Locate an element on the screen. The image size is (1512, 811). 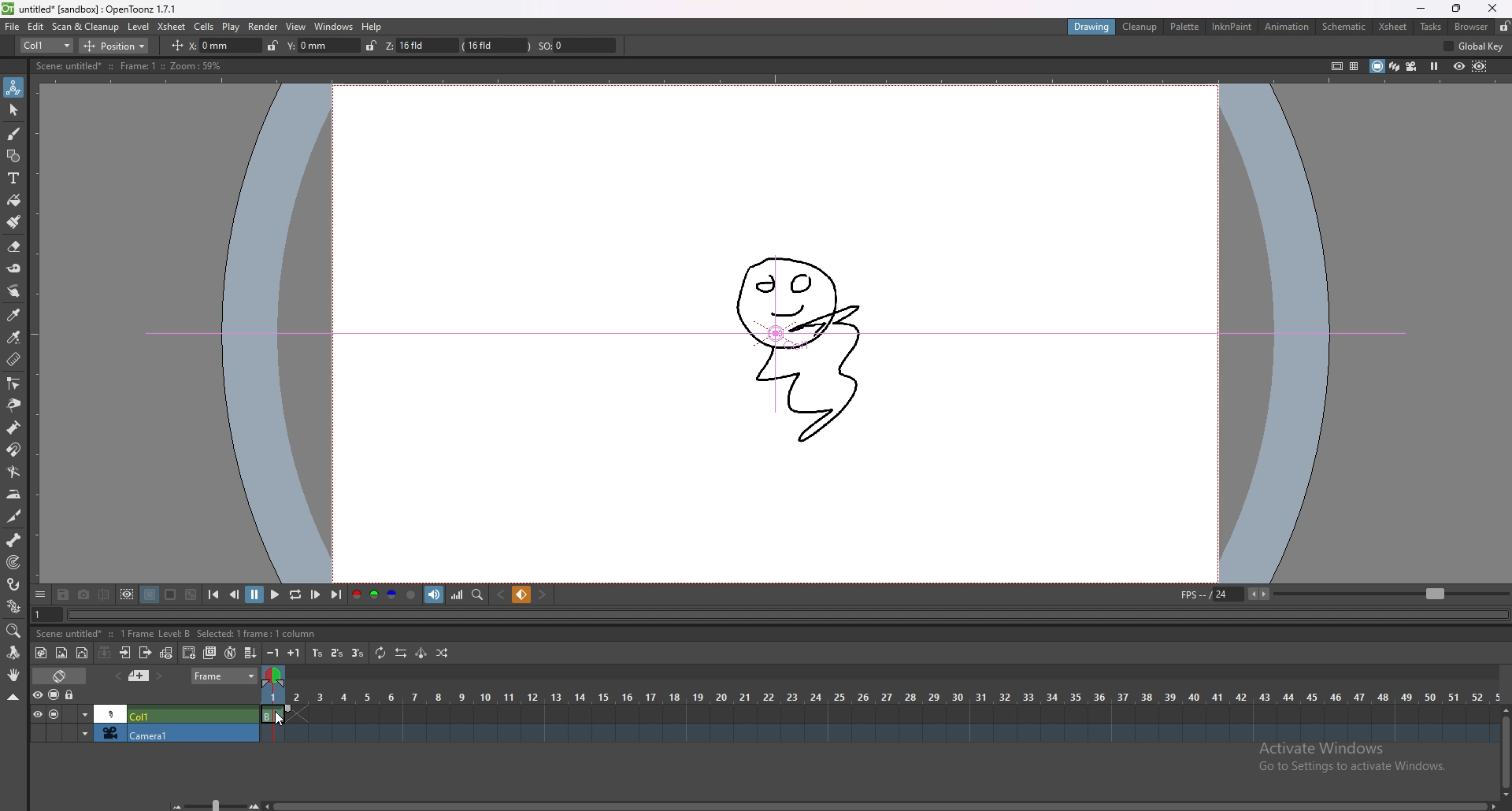
reframe on 2s is located at coordinates (336, 653).